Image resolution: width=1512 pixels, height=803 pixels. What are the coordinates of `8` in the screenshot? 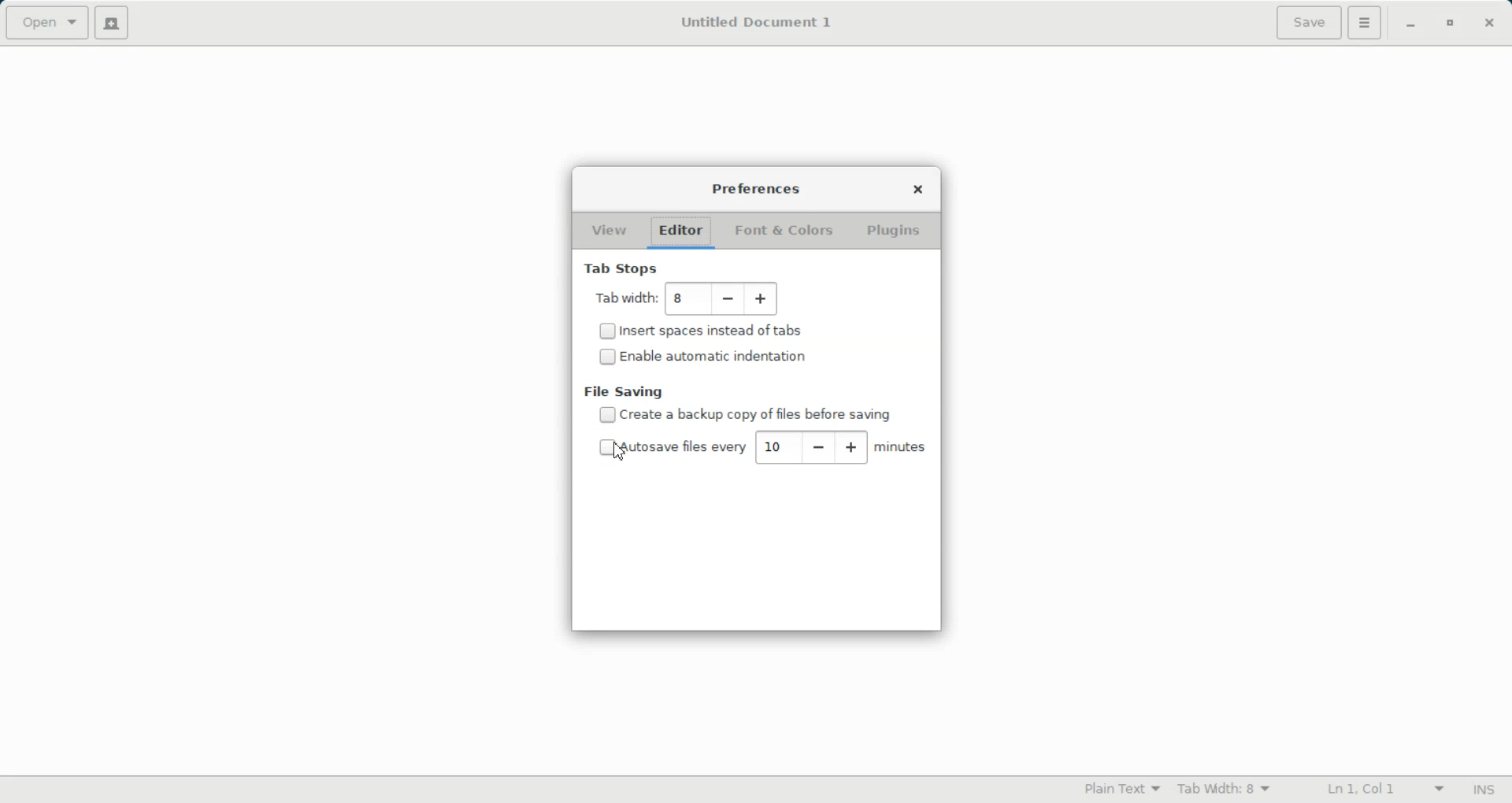 It's located at (683, 301).